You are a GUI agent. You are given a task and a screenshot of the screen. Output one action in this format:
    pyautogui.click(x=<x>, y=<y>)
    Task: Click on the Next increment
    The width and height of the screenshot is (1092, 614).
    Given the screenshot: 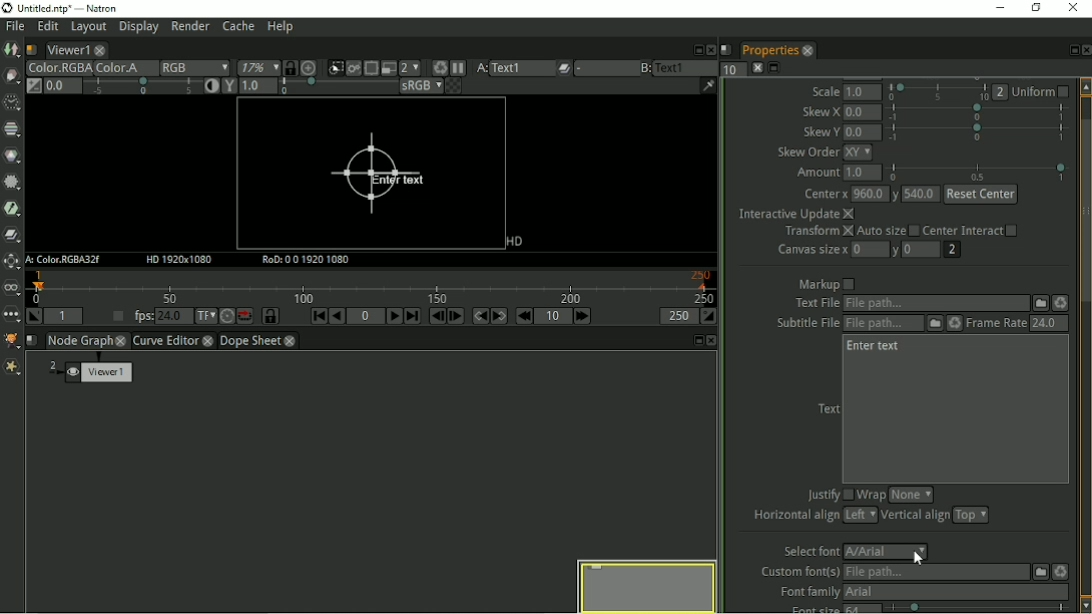 What is the action you would take?
    pyautogui.click(x=584, y=316)
    